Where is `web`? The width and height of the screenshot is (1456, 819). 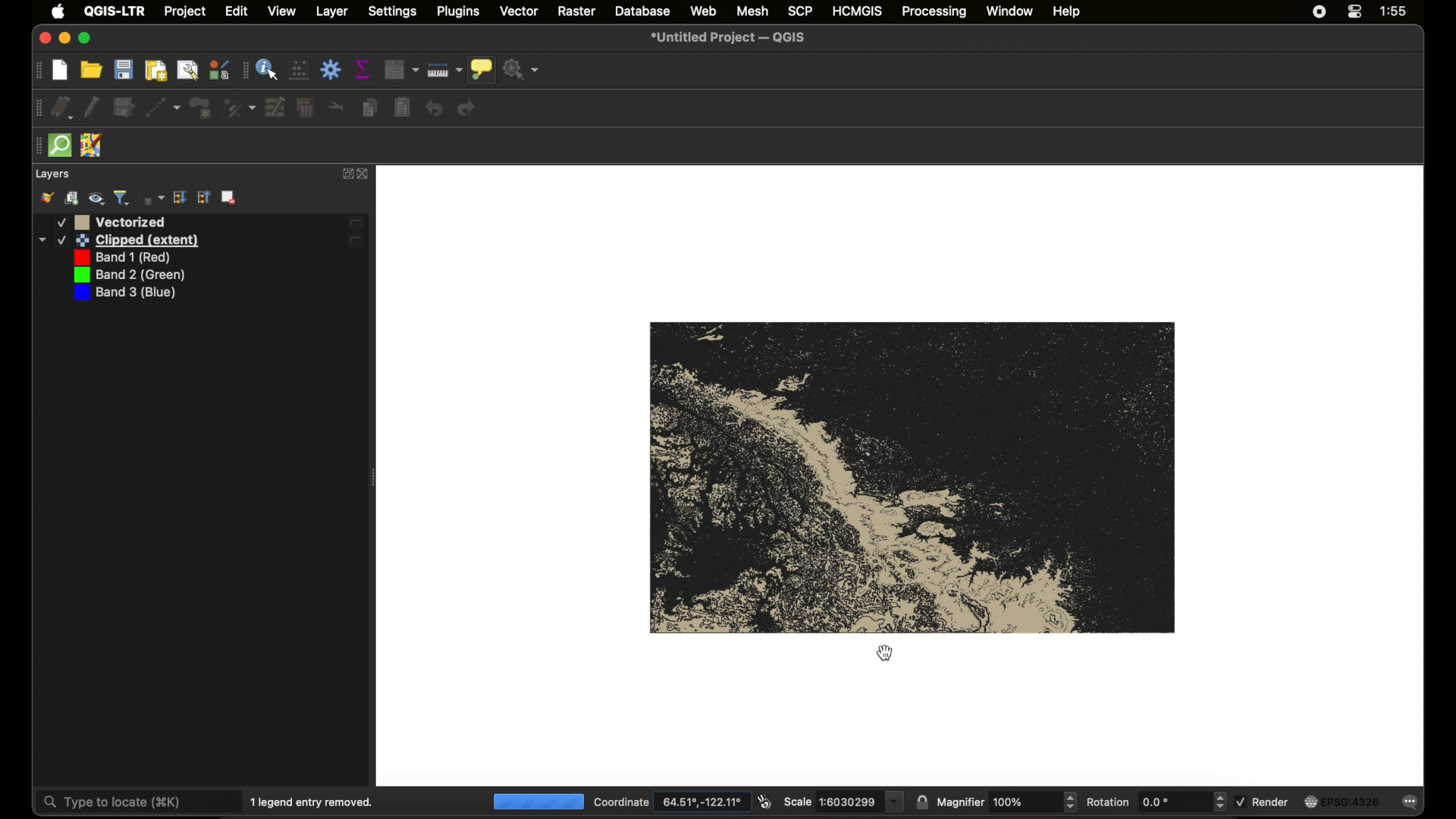
web is located at coordinates (704, 11).